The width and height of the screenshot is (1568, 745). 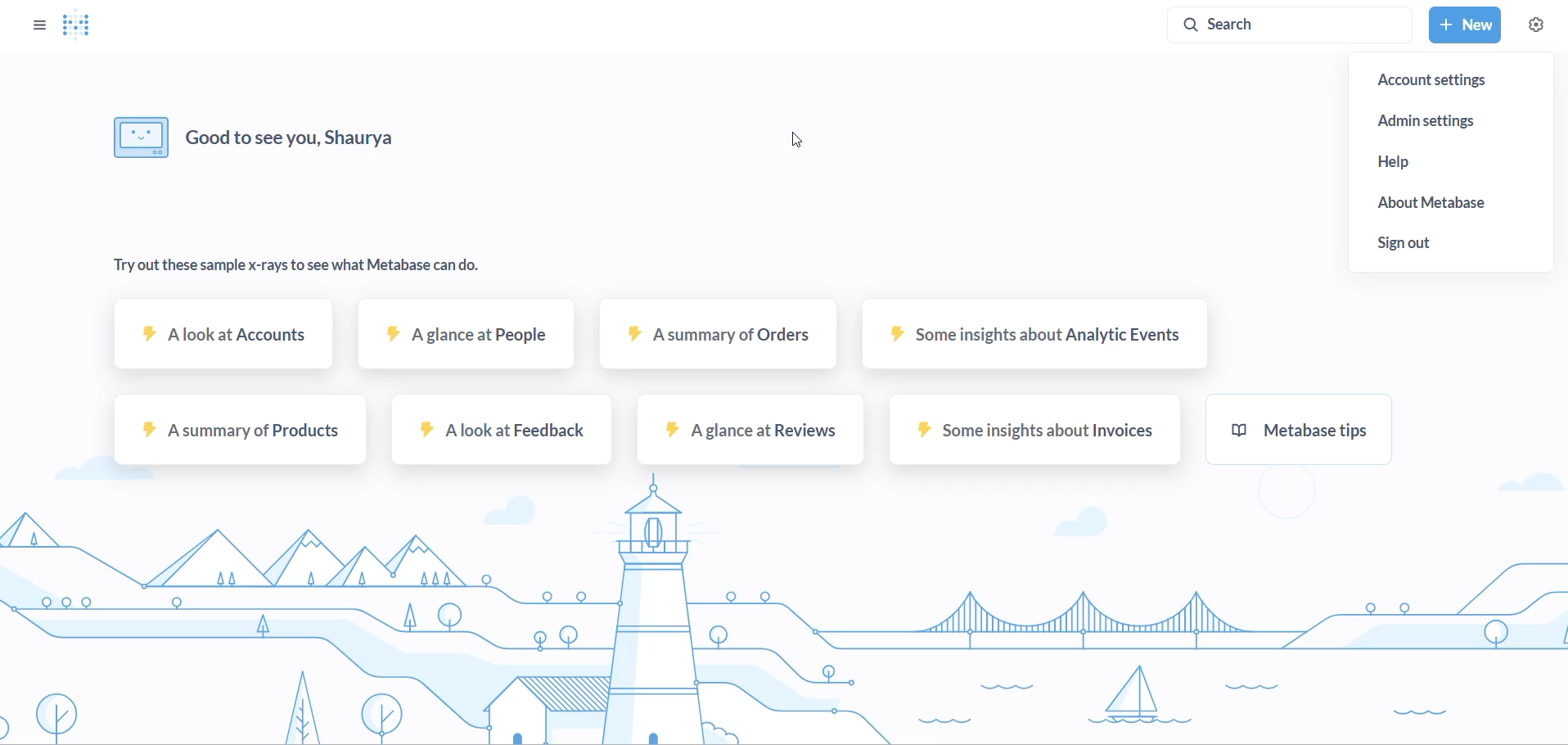 What do you see at coordinates (463, 344) in the screenshot?
I see `a glance at people sample` at bounding box center [463, 344].